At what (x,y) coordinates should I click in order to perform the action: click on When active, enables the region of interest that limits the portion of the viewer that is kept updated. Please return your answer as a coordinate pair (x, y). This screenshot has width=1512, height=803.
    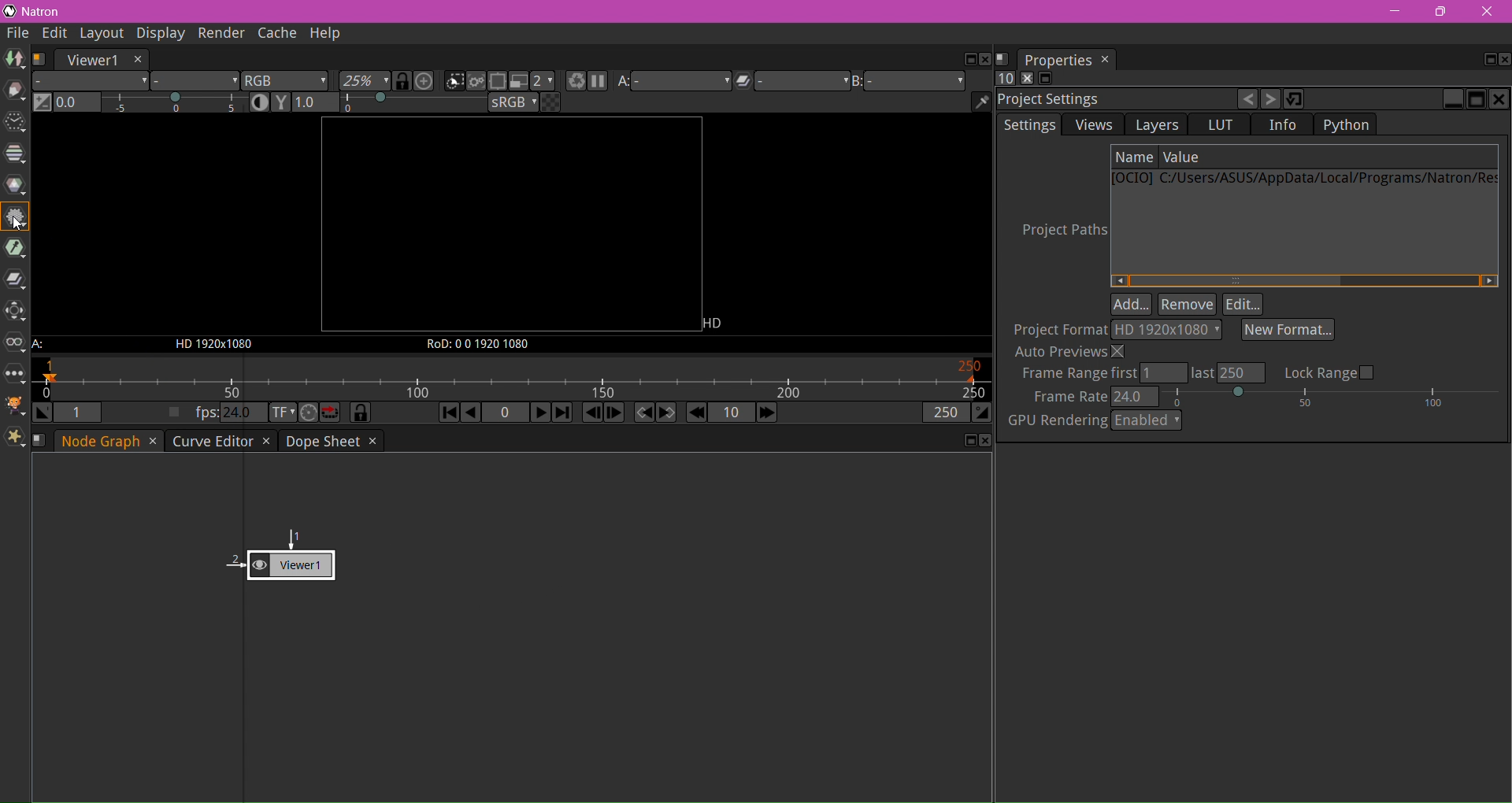
    Looking at the image, I should click on (498, 83).